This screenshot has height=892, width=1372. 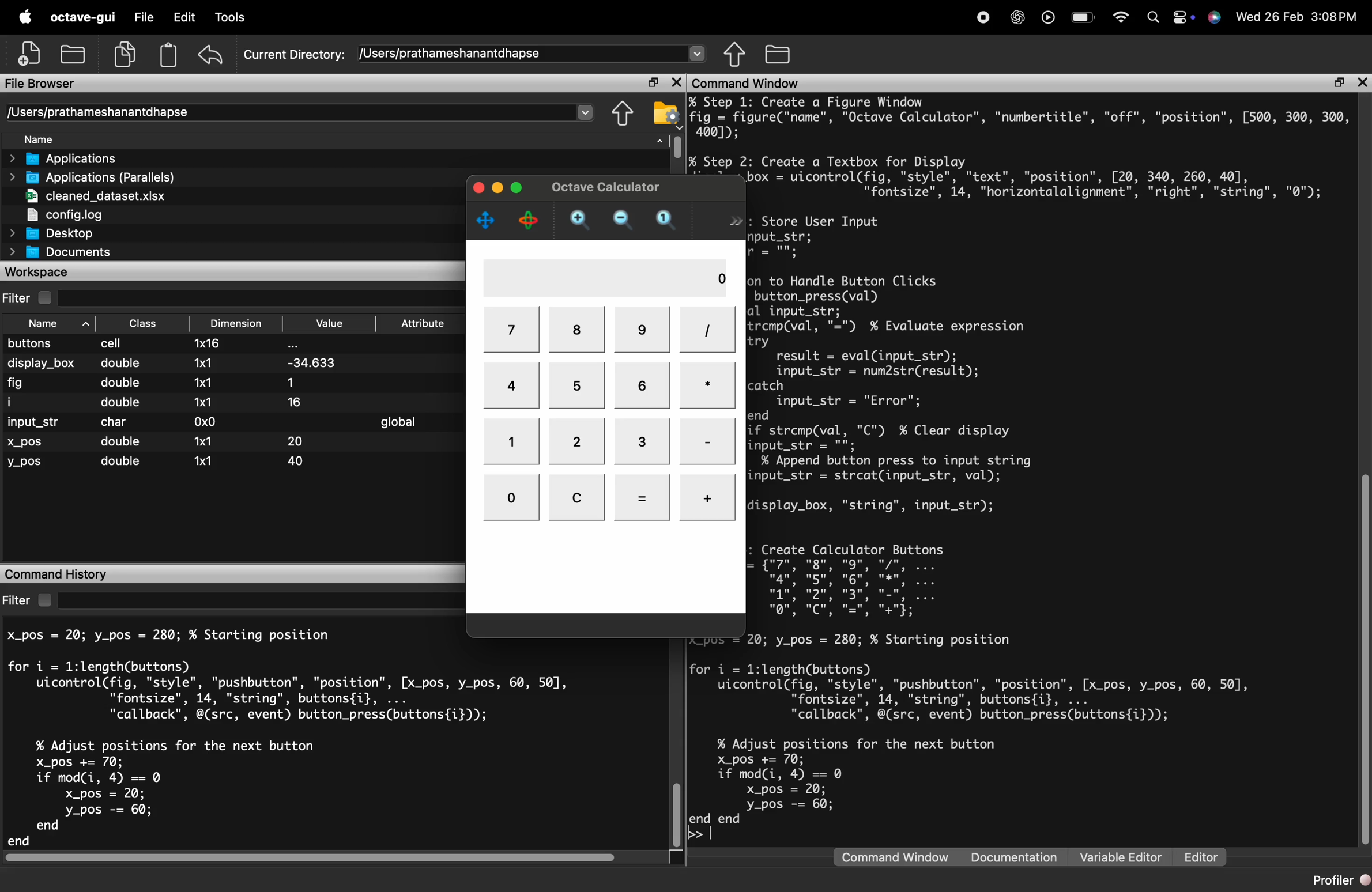 I want to click on Documentation, so click(x=1014, y=858).